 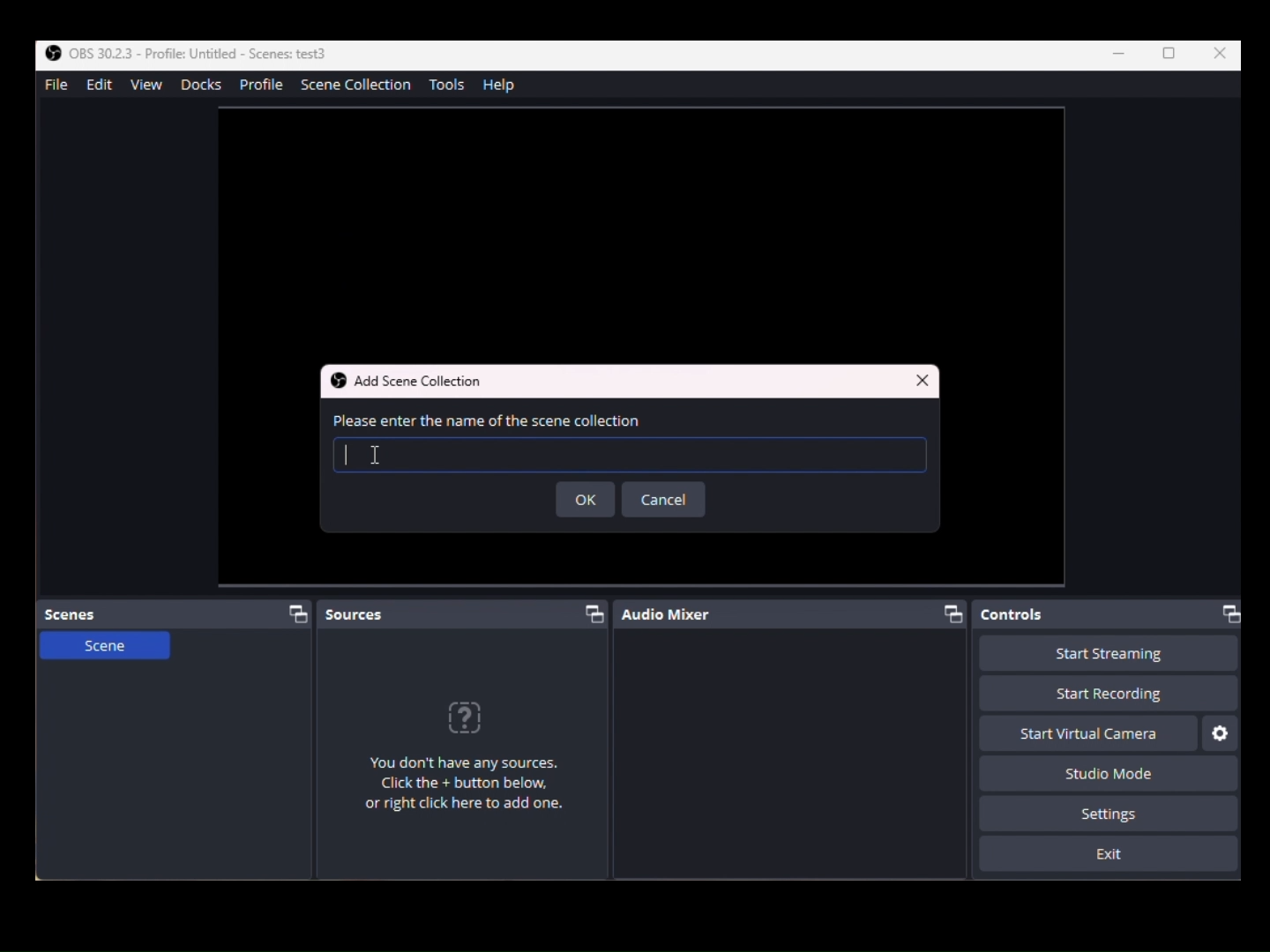 I want to click on Scene, so click(x=103, y=652).